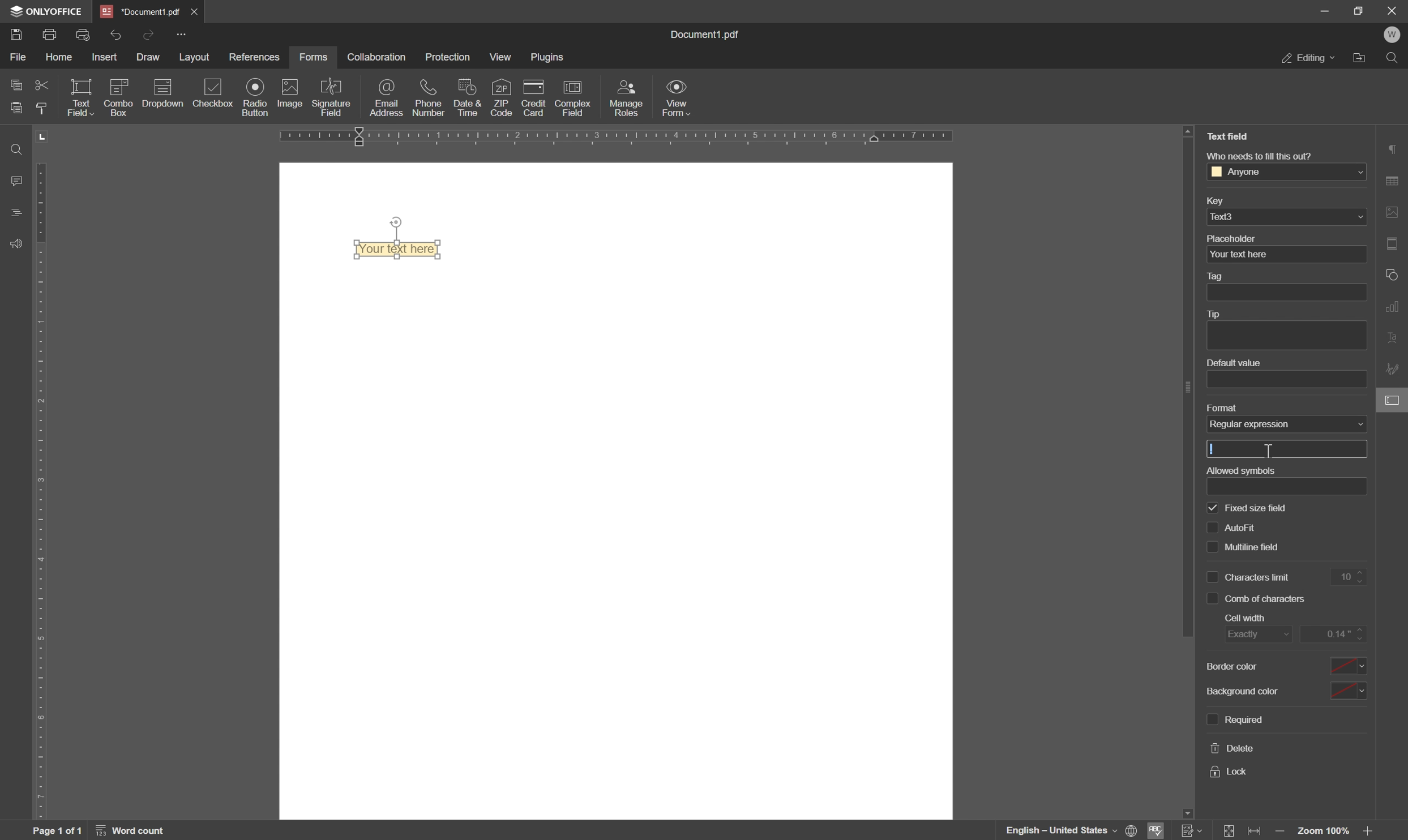 The image size is (1408, 840). I want to click on required, so click(1244, 719).